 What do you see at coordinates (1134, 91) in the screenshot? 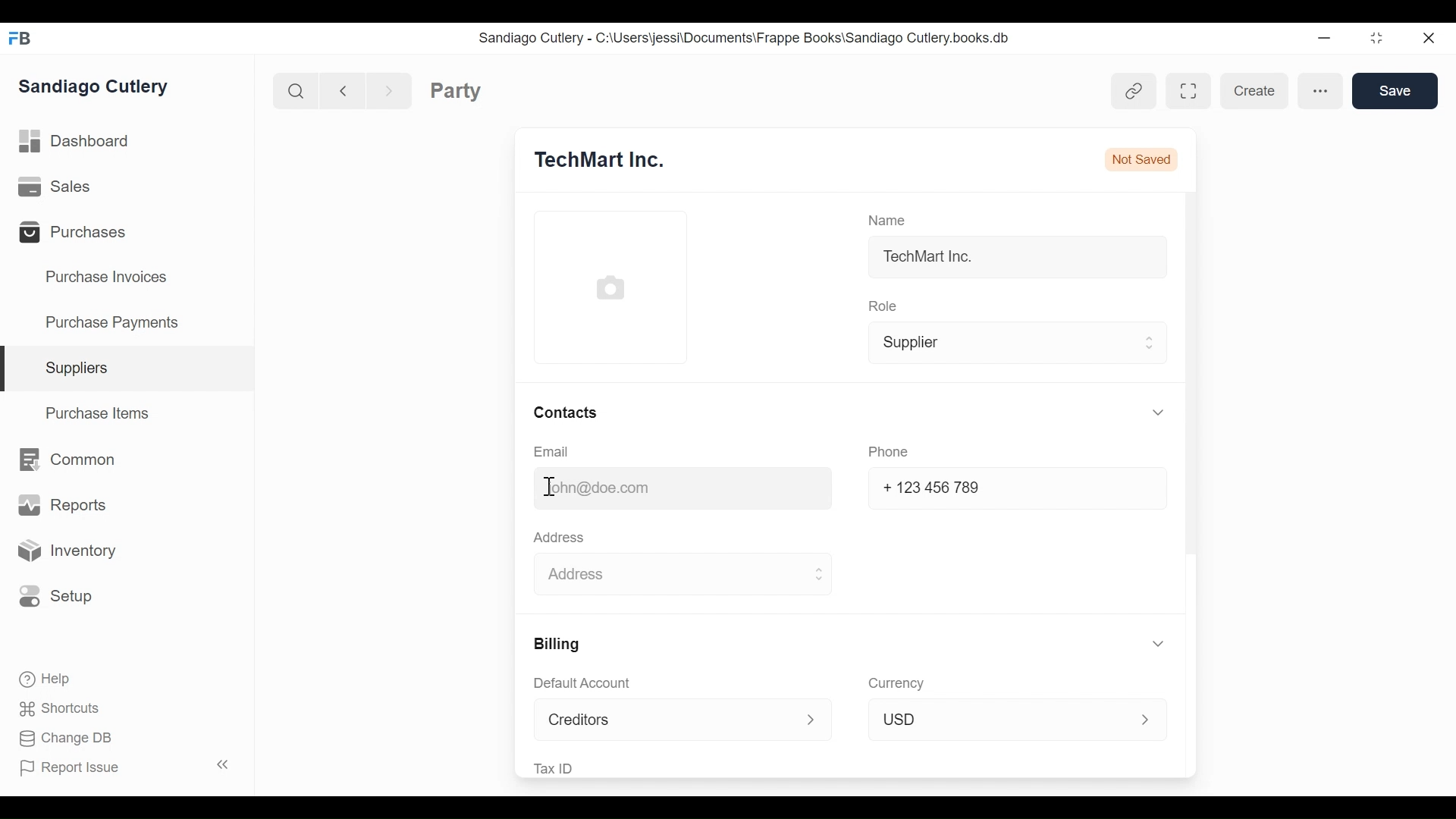
I see `link` at bounding box center [1134, 91].